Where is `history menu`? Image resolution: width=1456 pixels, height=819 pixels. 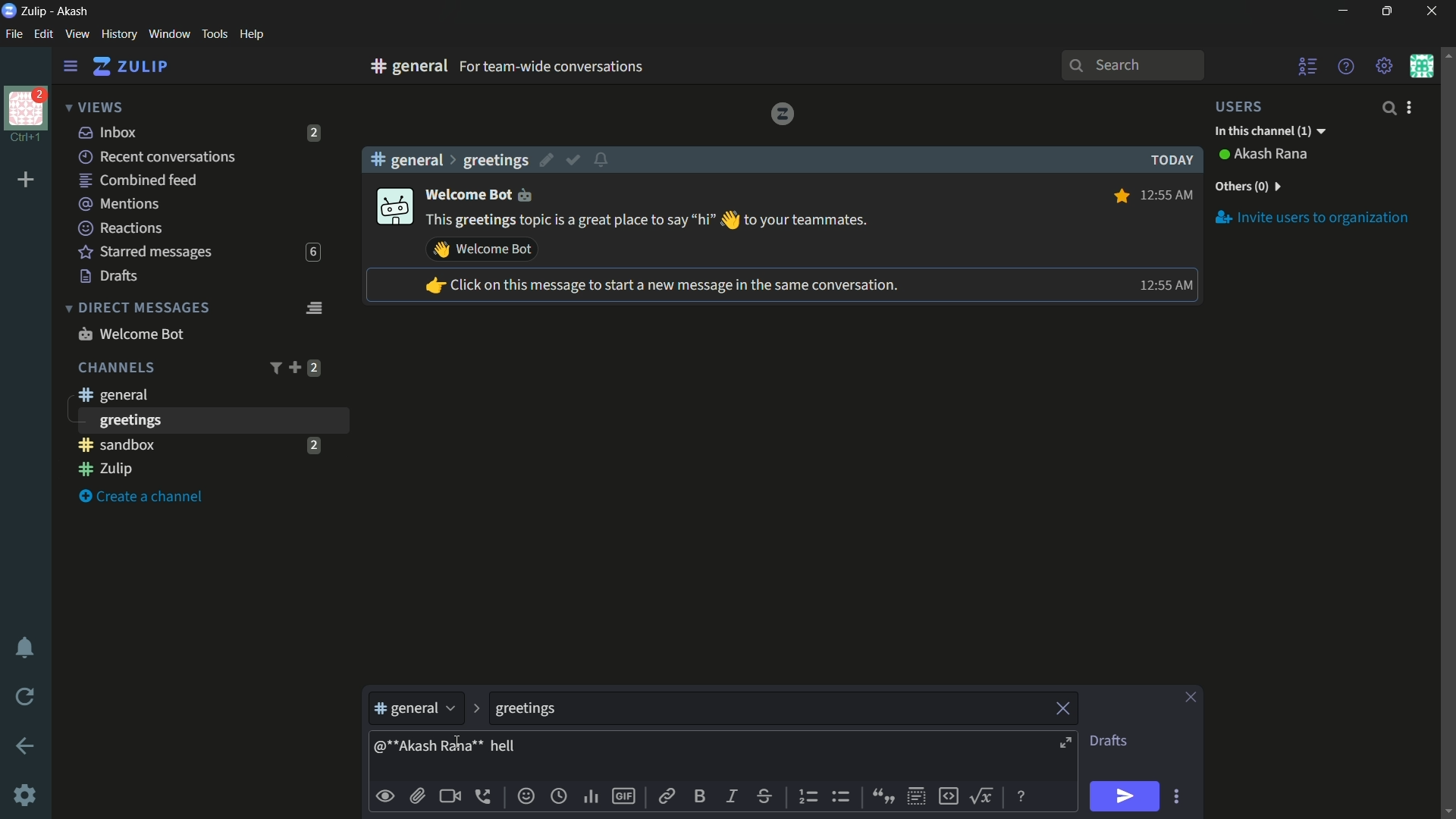 history menu is located at coordinates (119, 33).